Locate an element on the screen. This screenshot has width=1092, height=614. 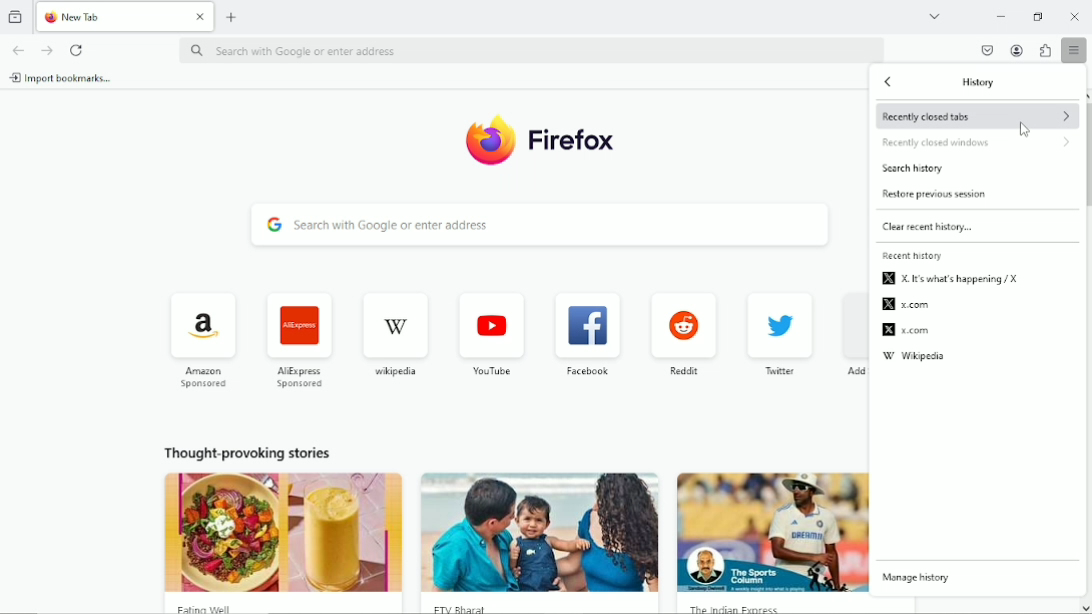
search with Google or enter address is located at coordinates (532, 53).